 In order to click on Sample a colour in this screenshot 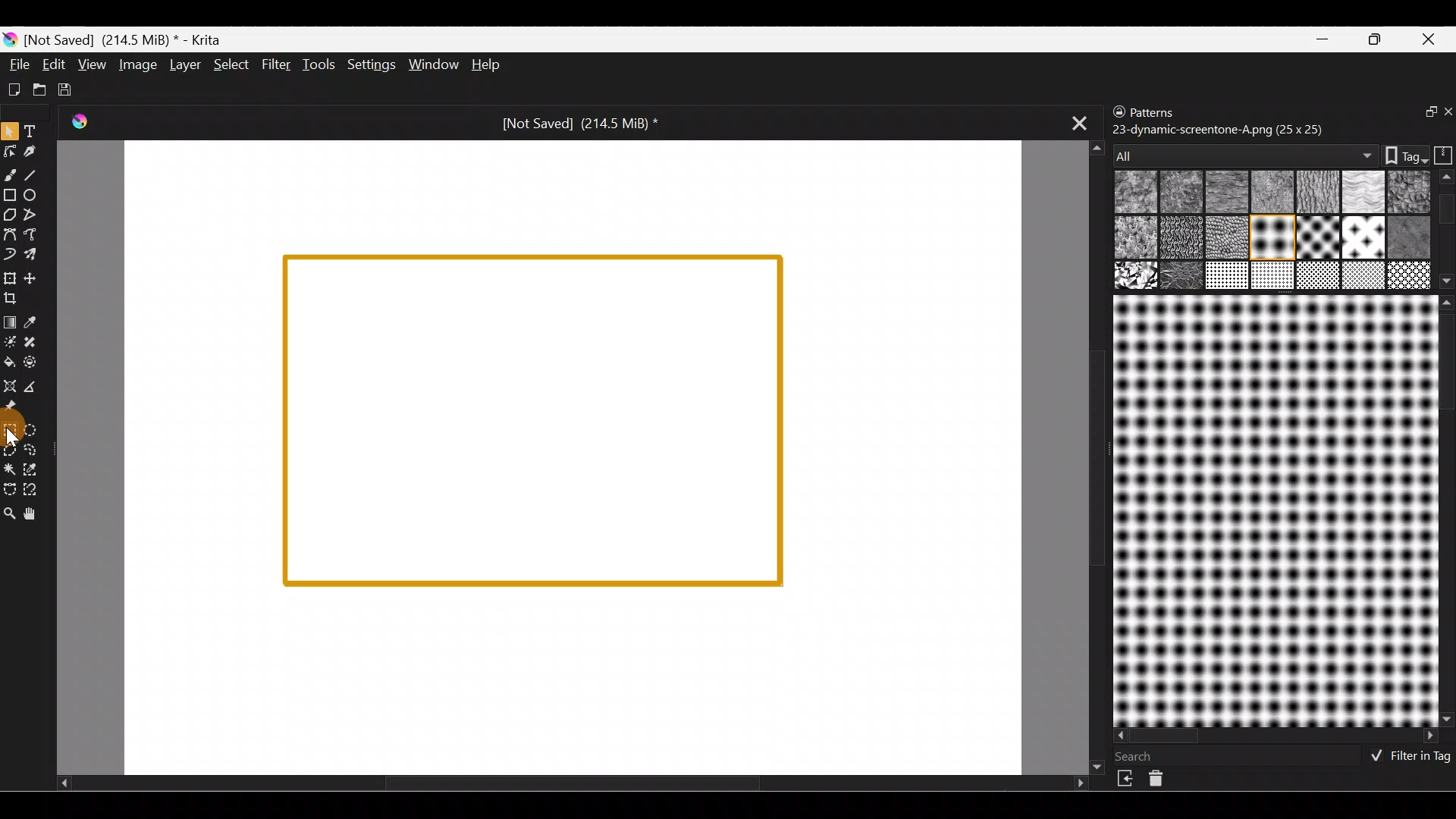, I will do `click(39, 322)`.